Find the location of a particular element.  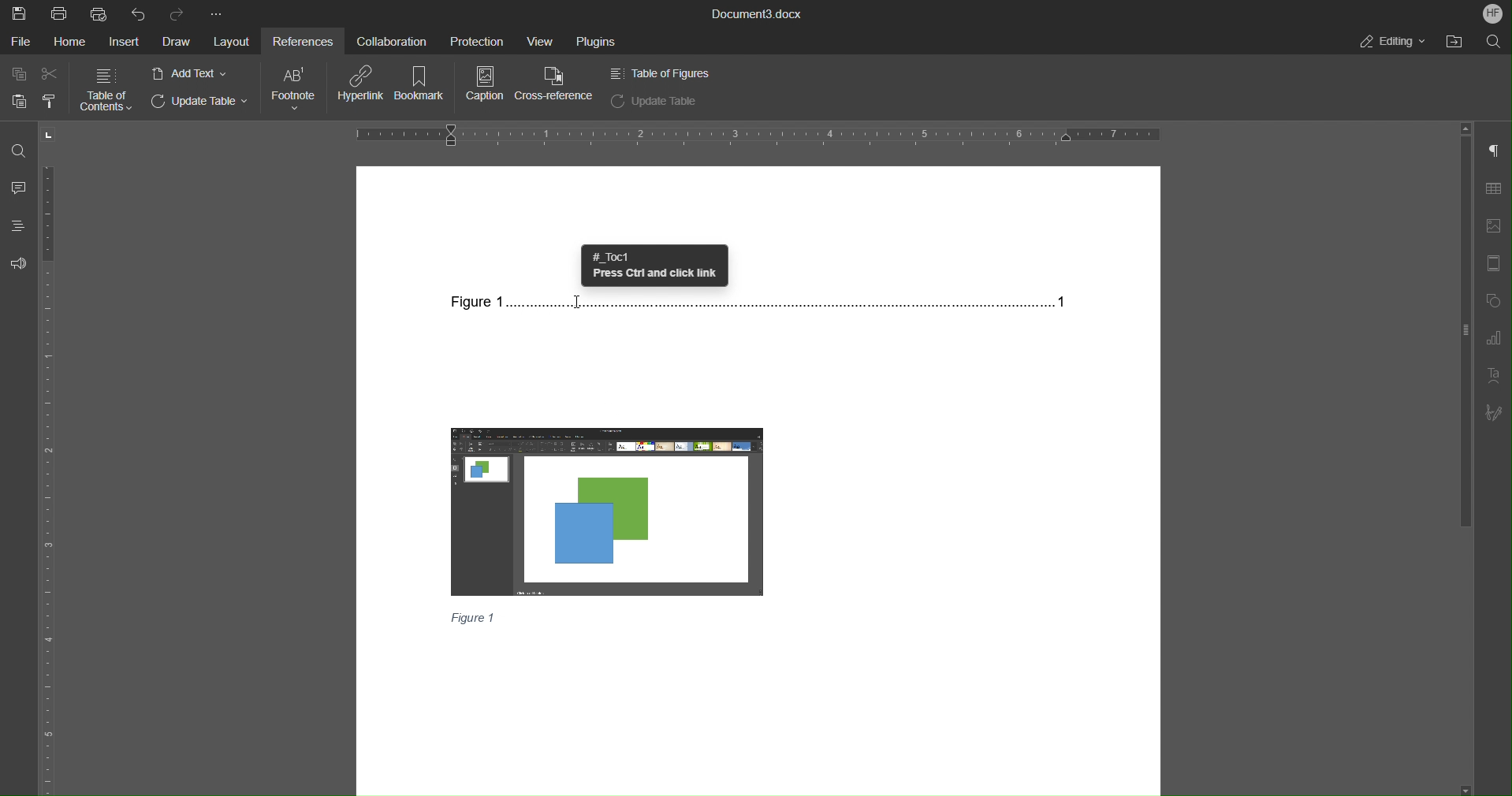

Vertical Bar is located at coordinates (1464, 328).